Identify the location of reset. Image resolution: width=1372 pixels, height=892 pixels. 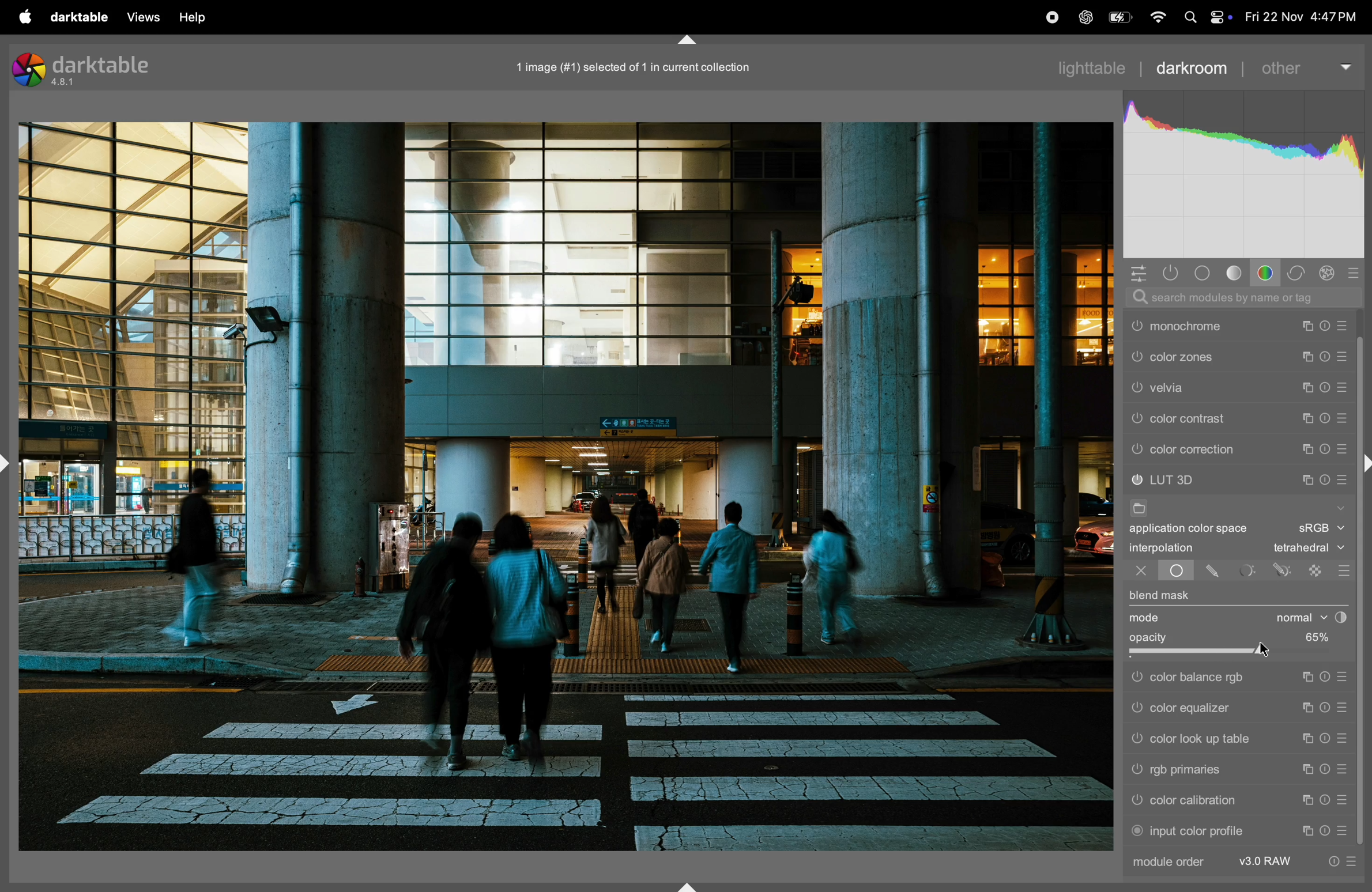
(1325, 830).